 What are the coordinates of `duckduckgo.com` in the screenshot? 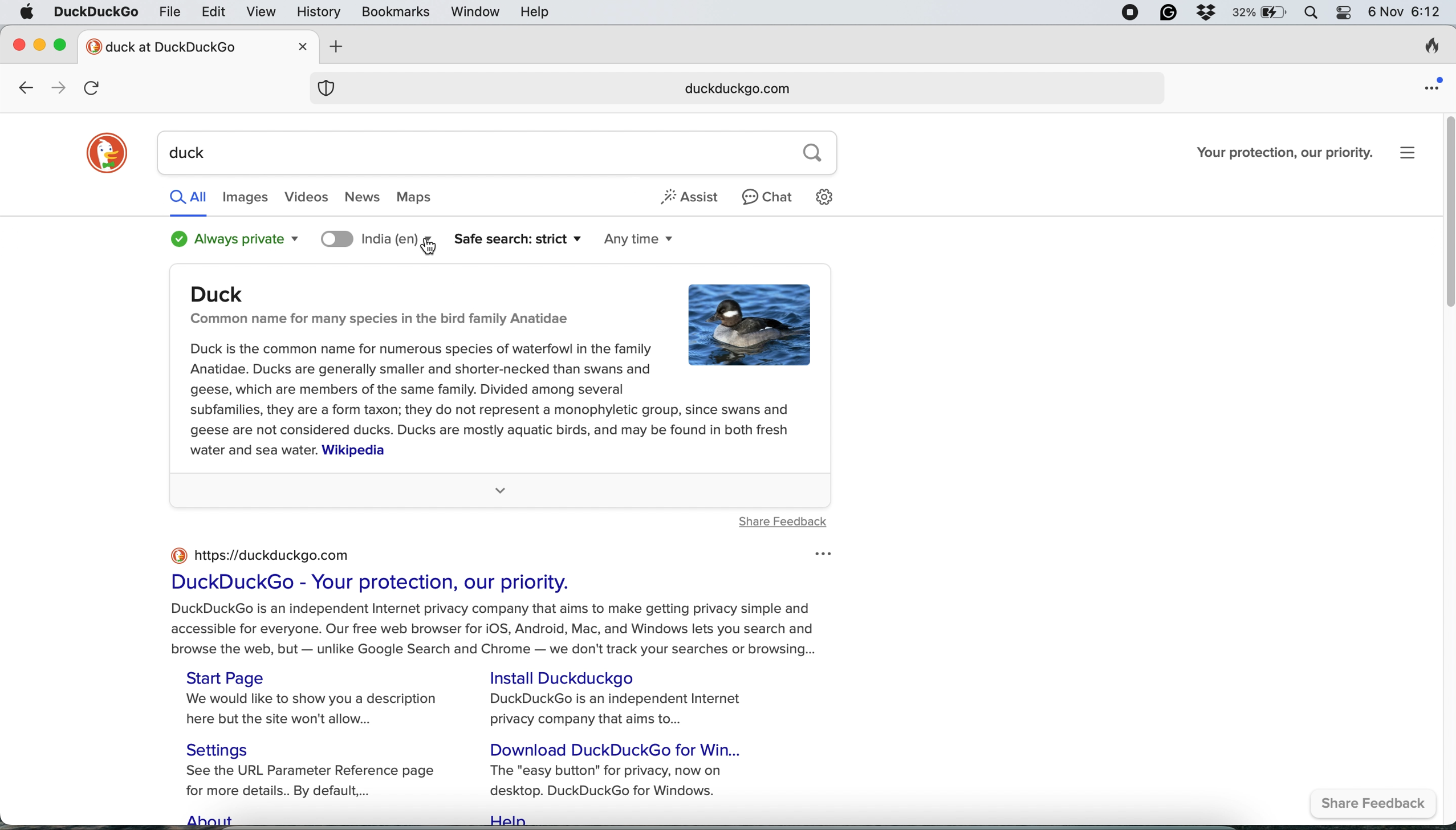 It's located at (734, 89).